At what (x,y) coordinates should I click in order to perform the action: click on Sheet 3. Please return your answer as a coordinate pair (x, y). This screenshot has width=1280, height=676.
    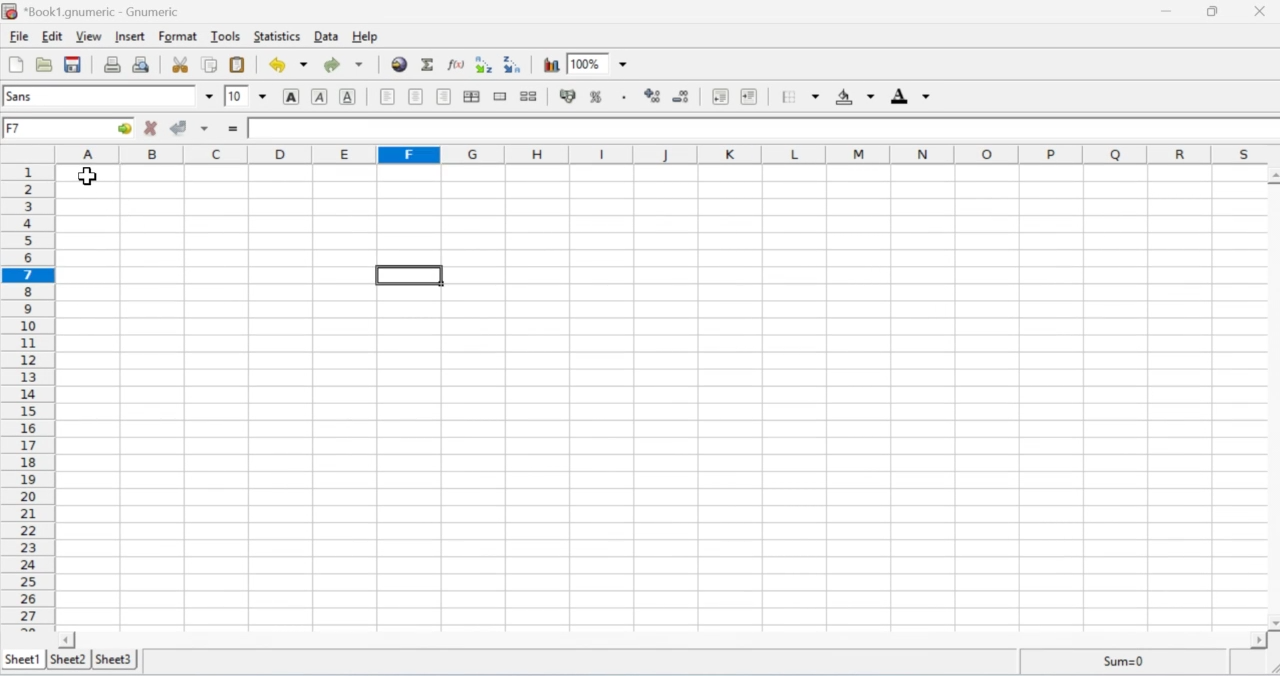
    Looking at the image, I should click on (114, 658).